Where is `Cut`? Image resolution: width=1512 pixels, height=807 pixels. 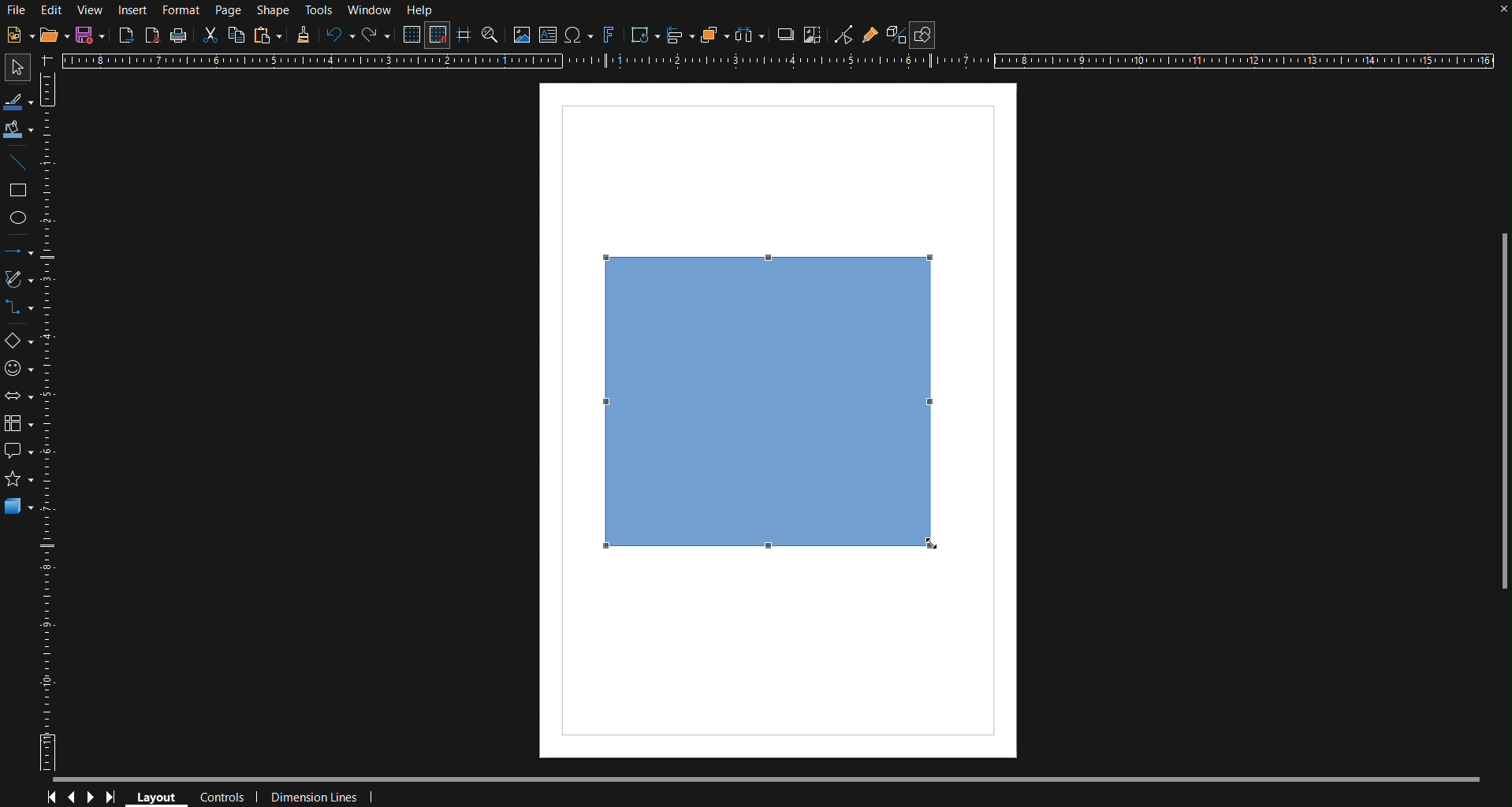 Cut is located at coordinates (208, 35).